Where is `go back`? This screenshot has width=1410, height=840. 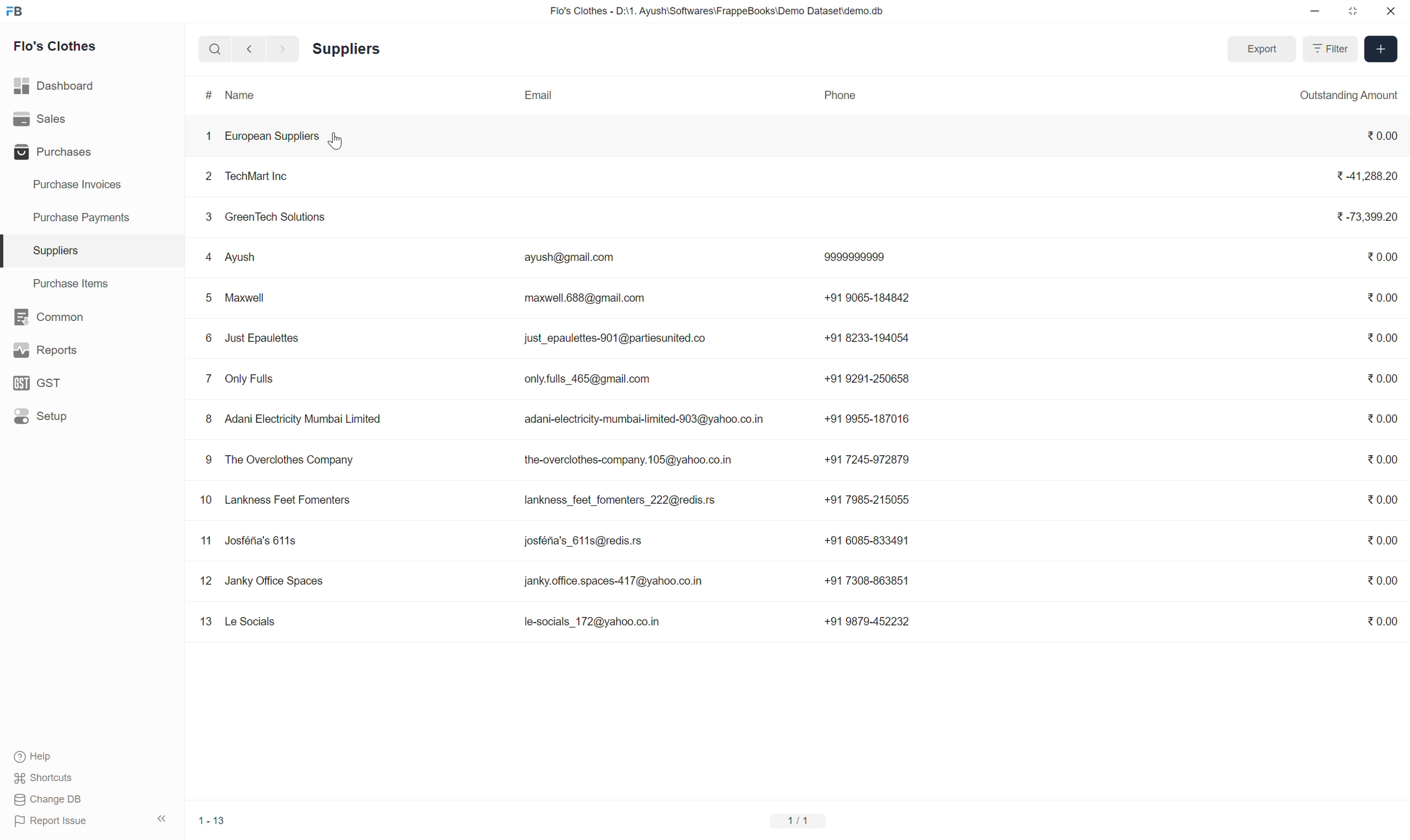
go back is located at coordinates (245, 48).